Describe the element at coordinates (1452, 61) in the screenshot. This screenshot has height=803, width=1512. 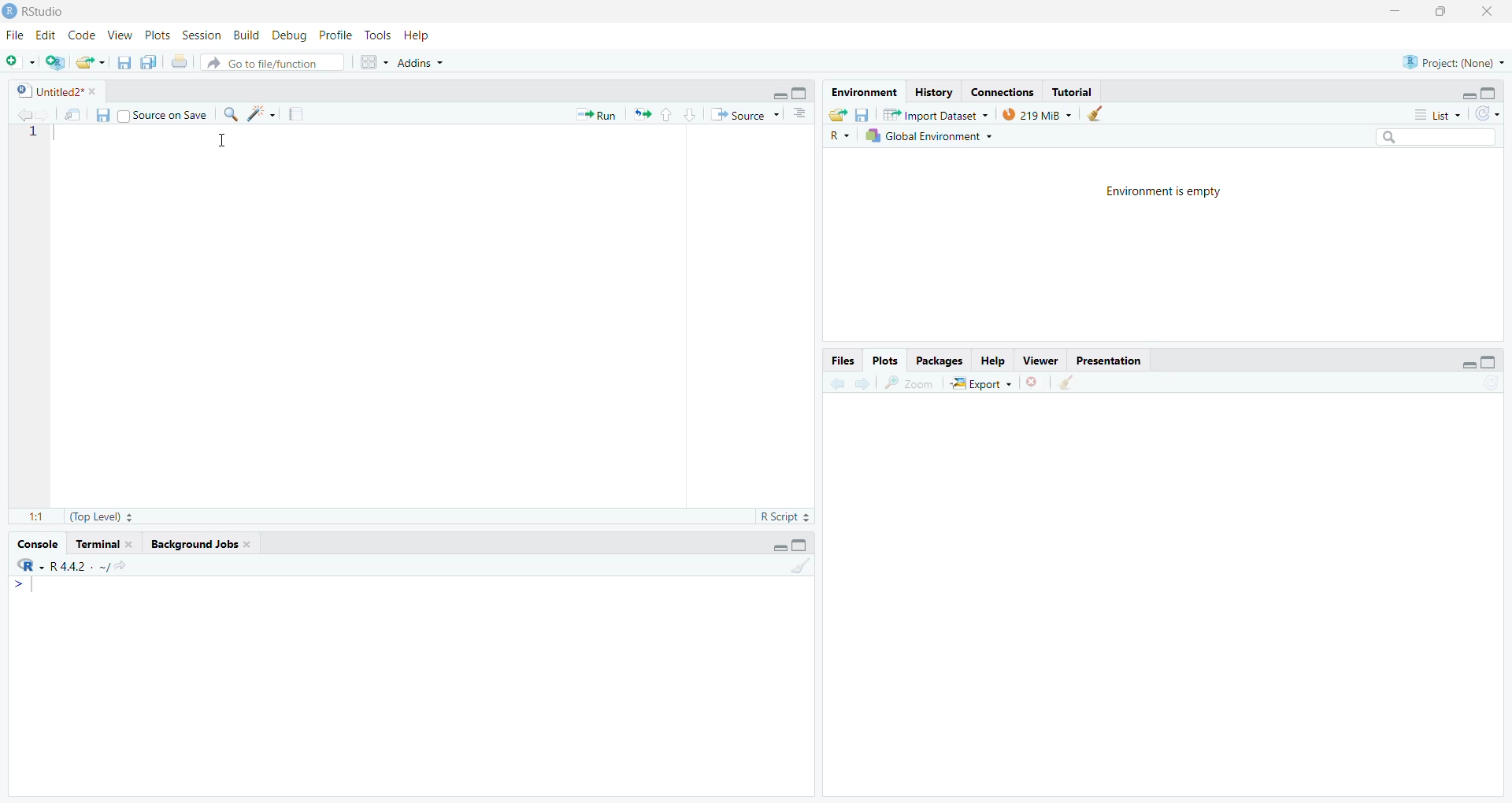
I see `Project: (None)` at that location.